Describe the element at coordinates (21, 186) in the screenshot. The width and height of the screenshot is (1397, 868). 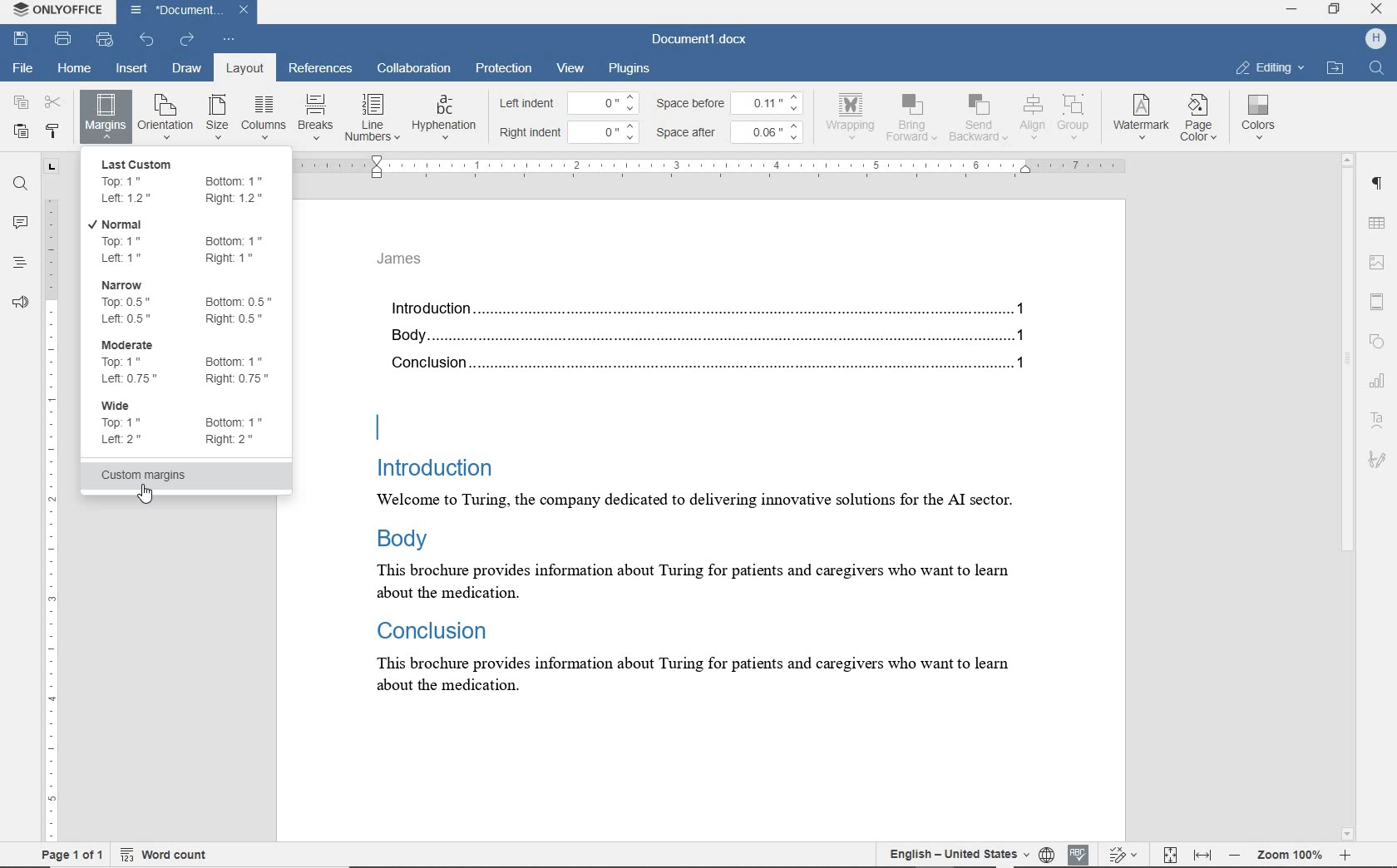
I see `find` at that location.